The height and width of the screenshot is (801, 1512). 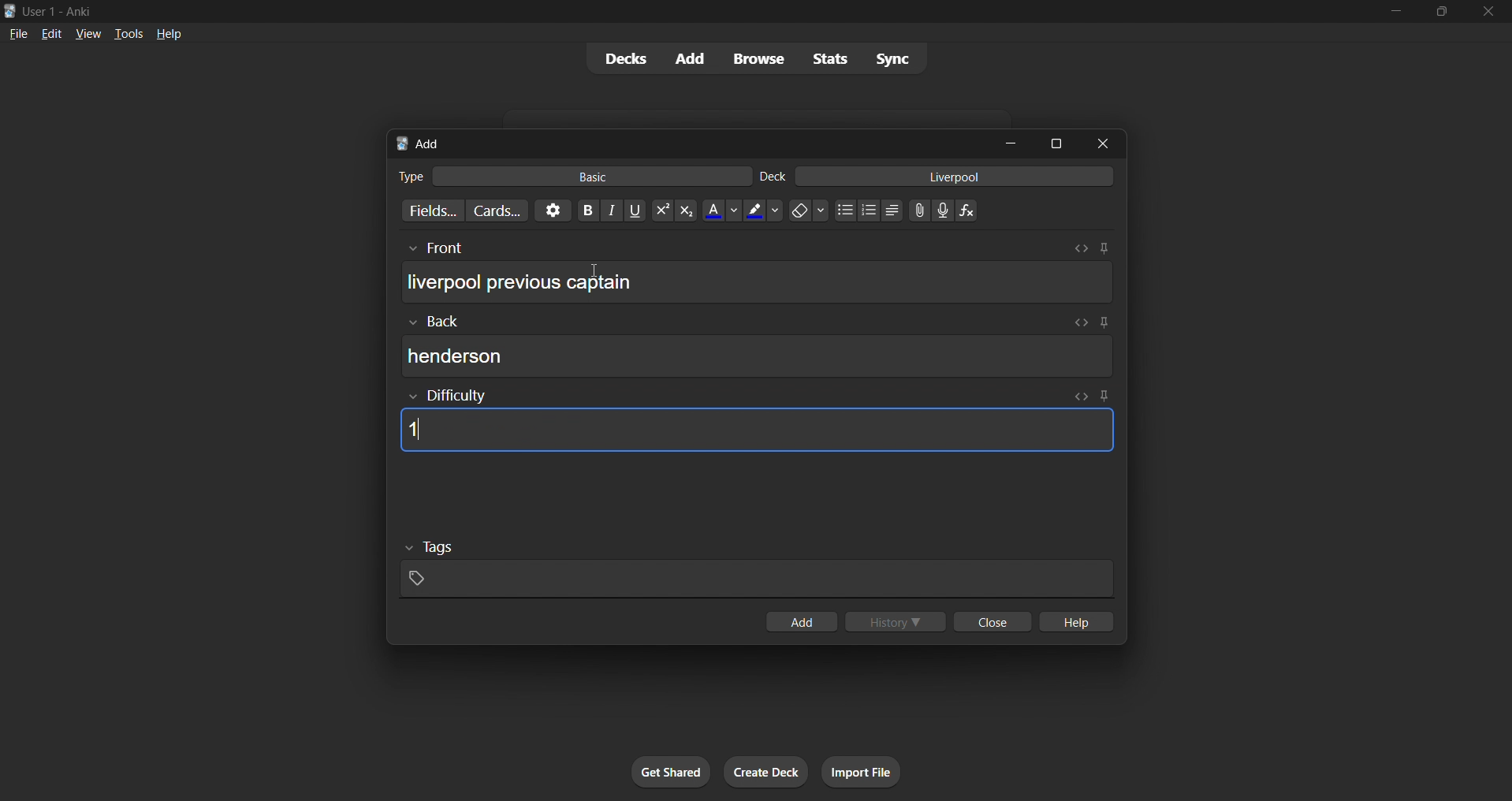 What do you see at coordinates (681, 9) in the screenshot?
I see `title bar` at bounding box center [681, 9].